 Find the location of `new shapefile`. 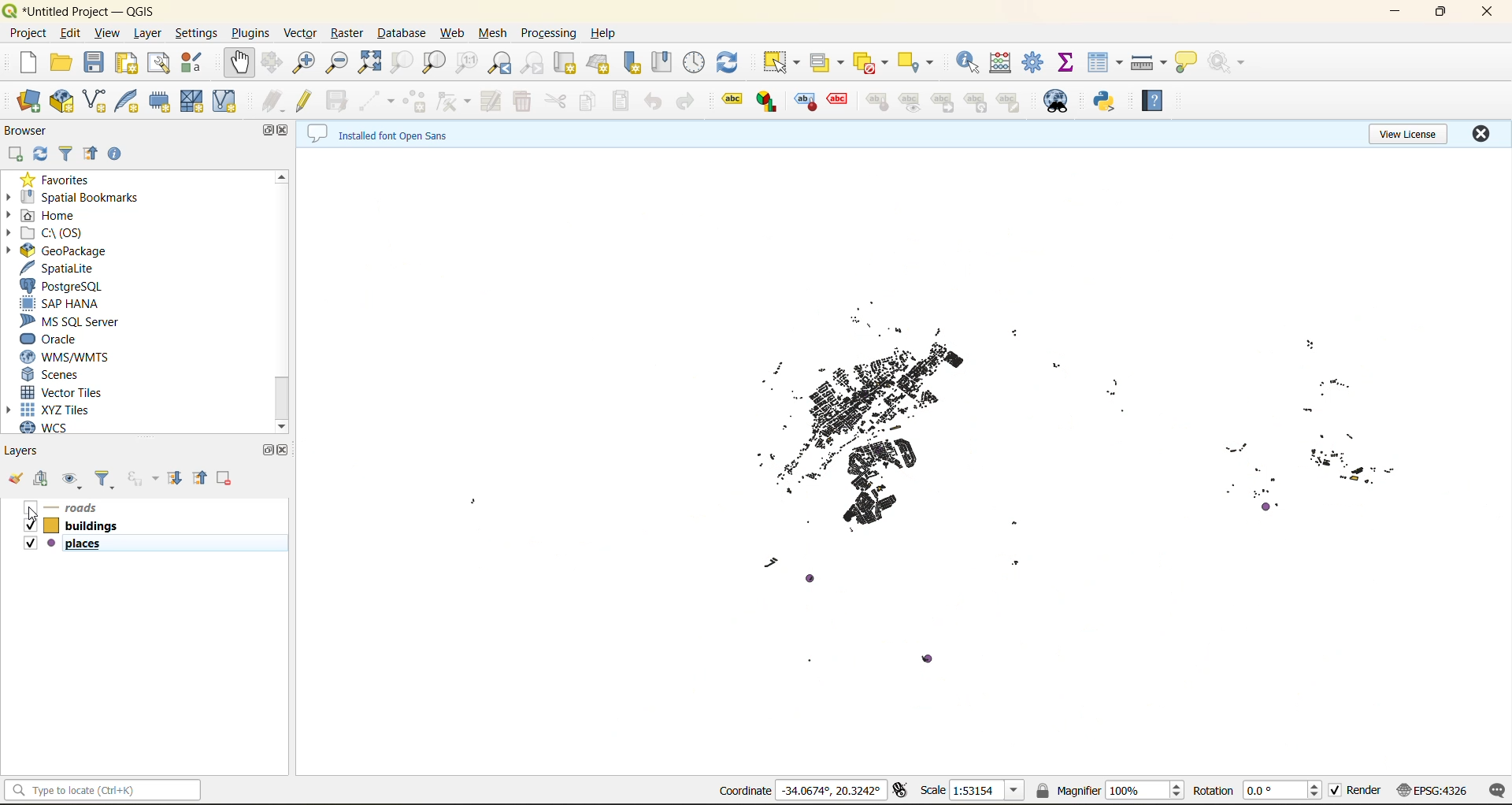

new shapefile is located at coordinates (95, 102).